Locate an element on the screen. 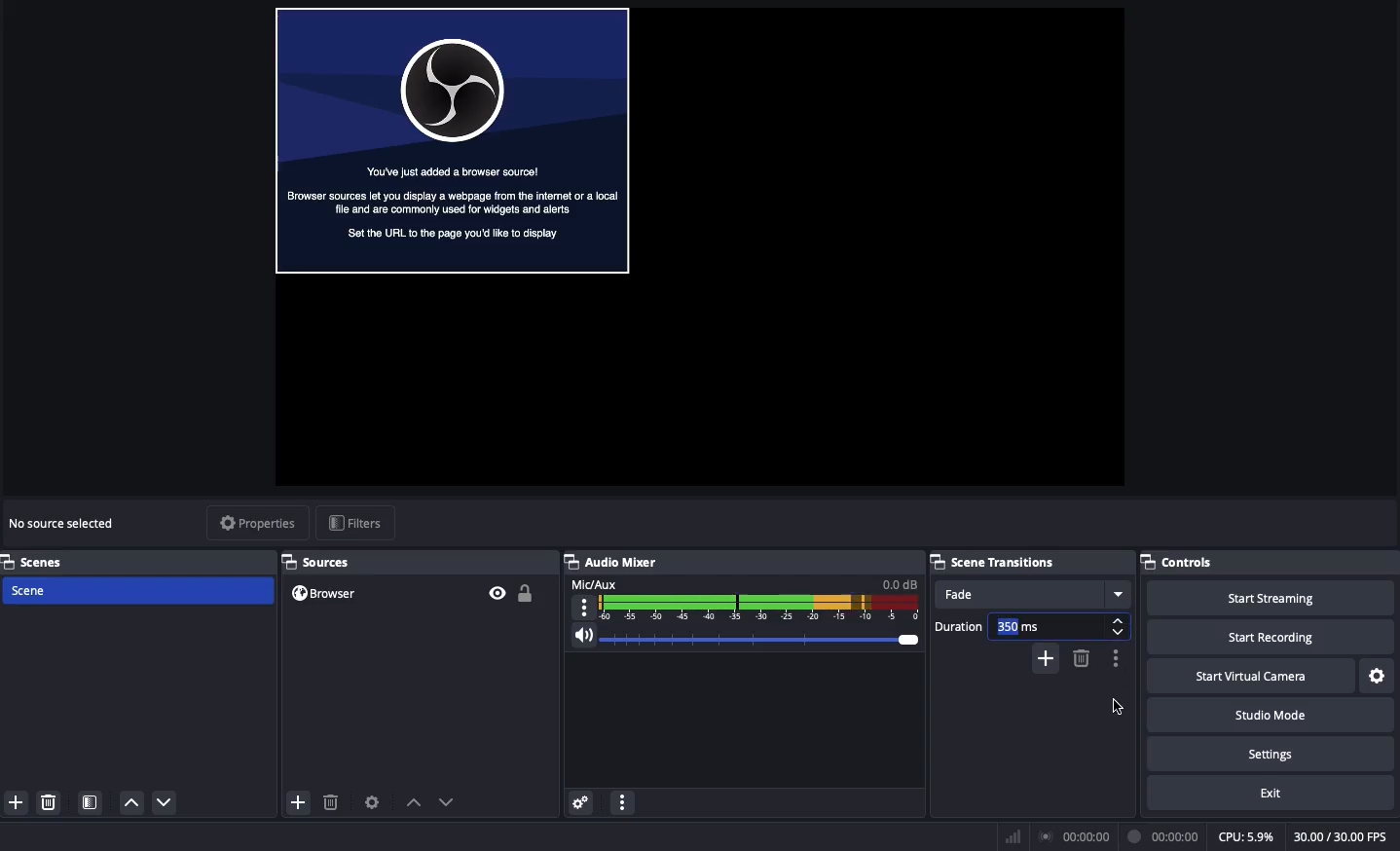  move up is located at coordinates (417, 804).